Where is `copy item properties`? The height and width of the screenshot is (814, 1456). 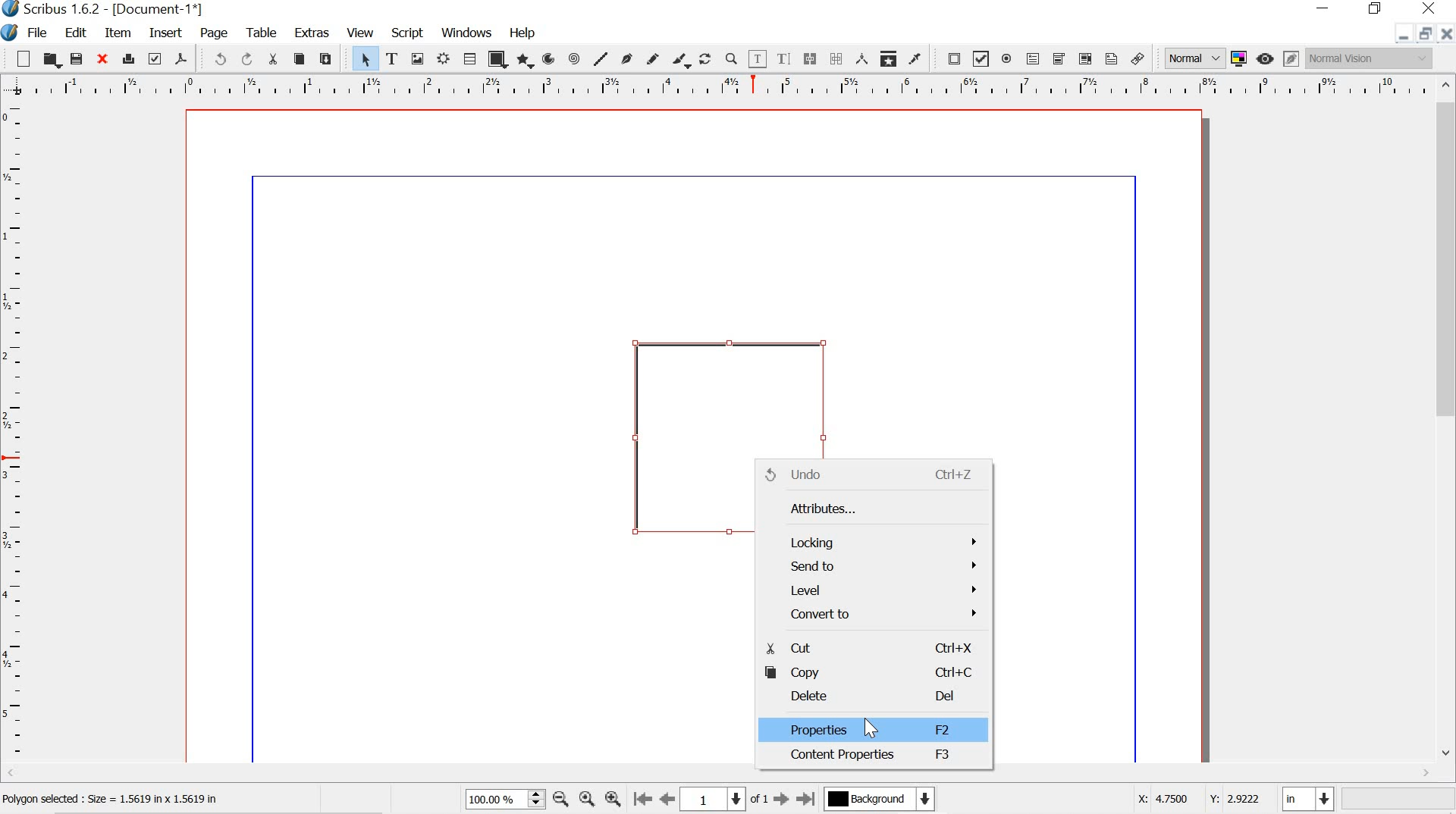
copy item properties is located at coordinates (887, 58).